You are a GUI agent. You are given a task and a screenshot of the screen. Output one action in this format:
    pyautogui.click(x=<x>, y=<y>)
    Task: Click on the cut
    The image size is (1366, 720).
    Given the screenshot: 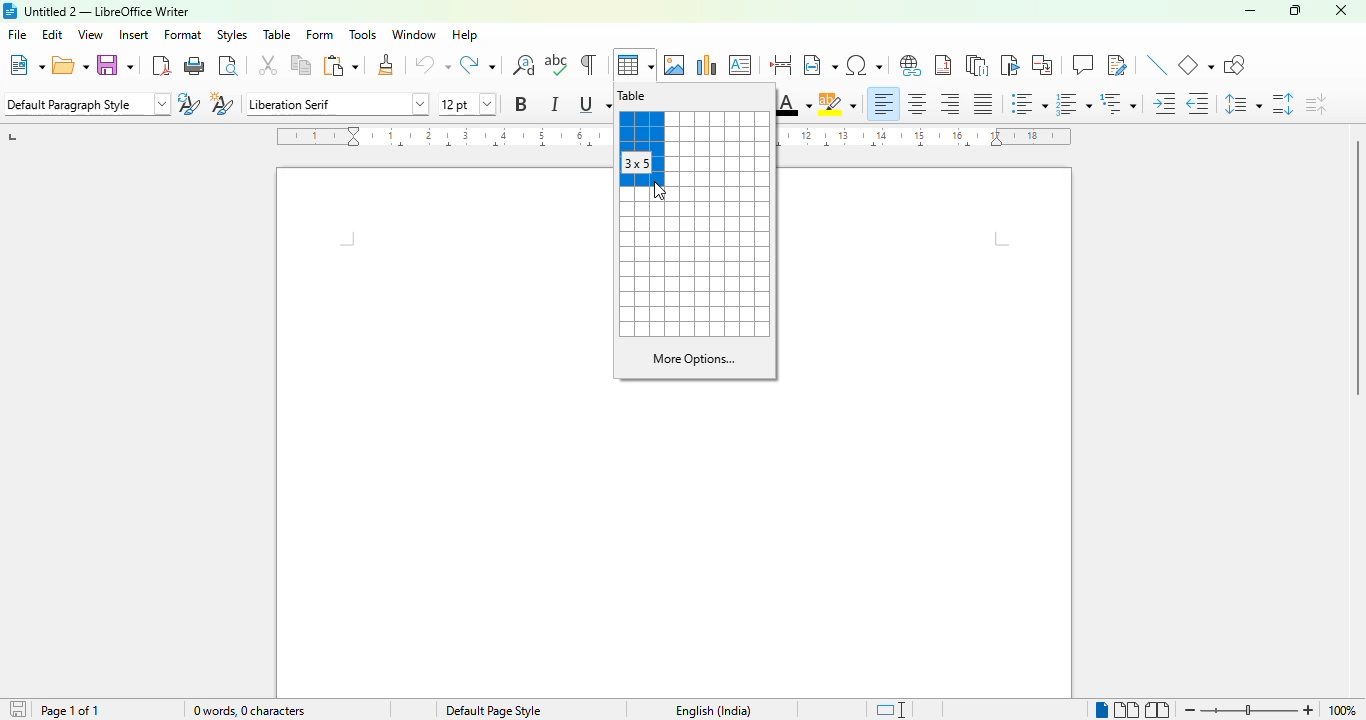 What is the action you would take?
    pyautogui.click(x=269, y=65)
    